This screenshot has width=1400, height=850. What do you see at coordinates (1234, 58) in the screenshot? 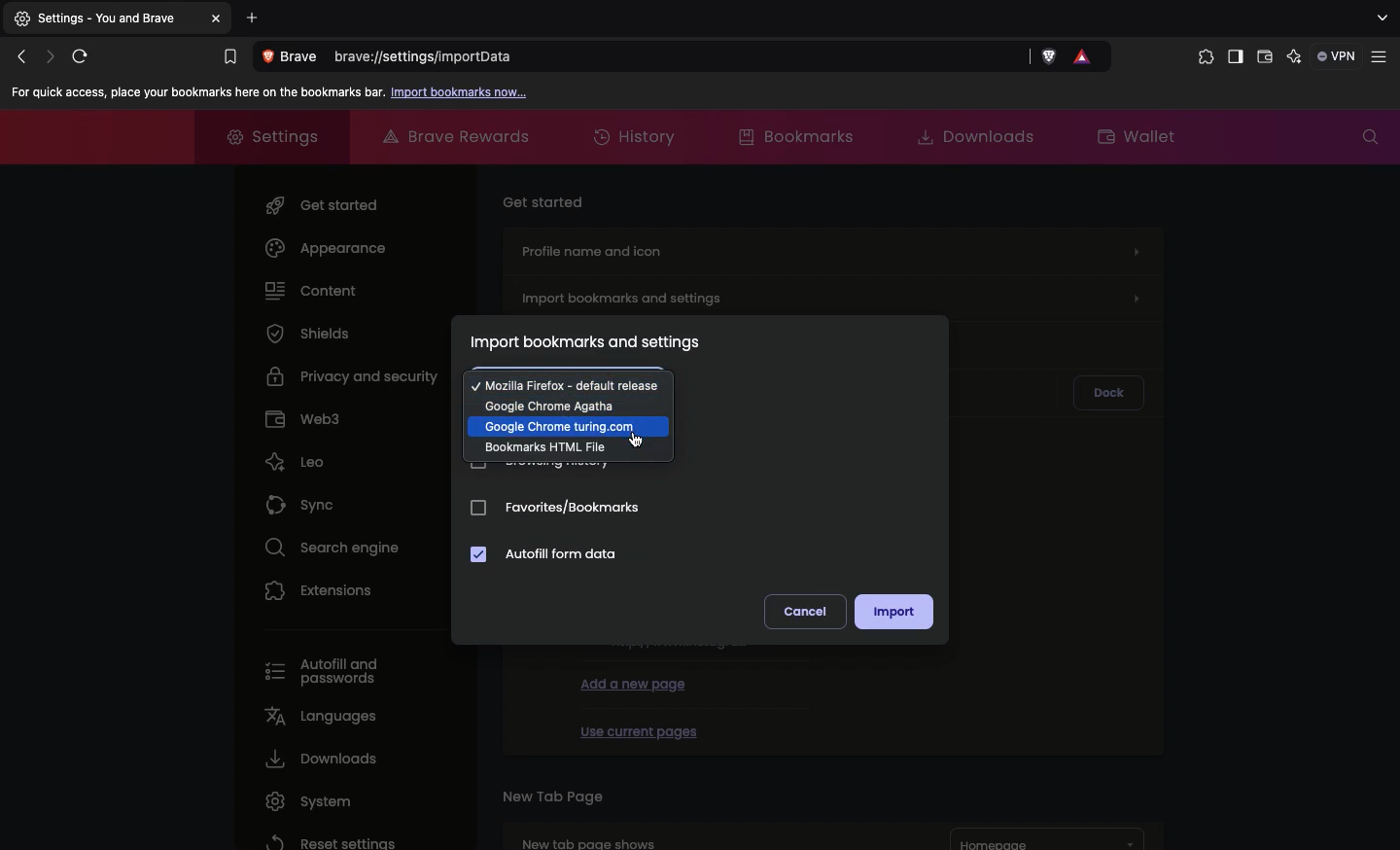
I see `Sidebar` at bounding box center [1234, 58].